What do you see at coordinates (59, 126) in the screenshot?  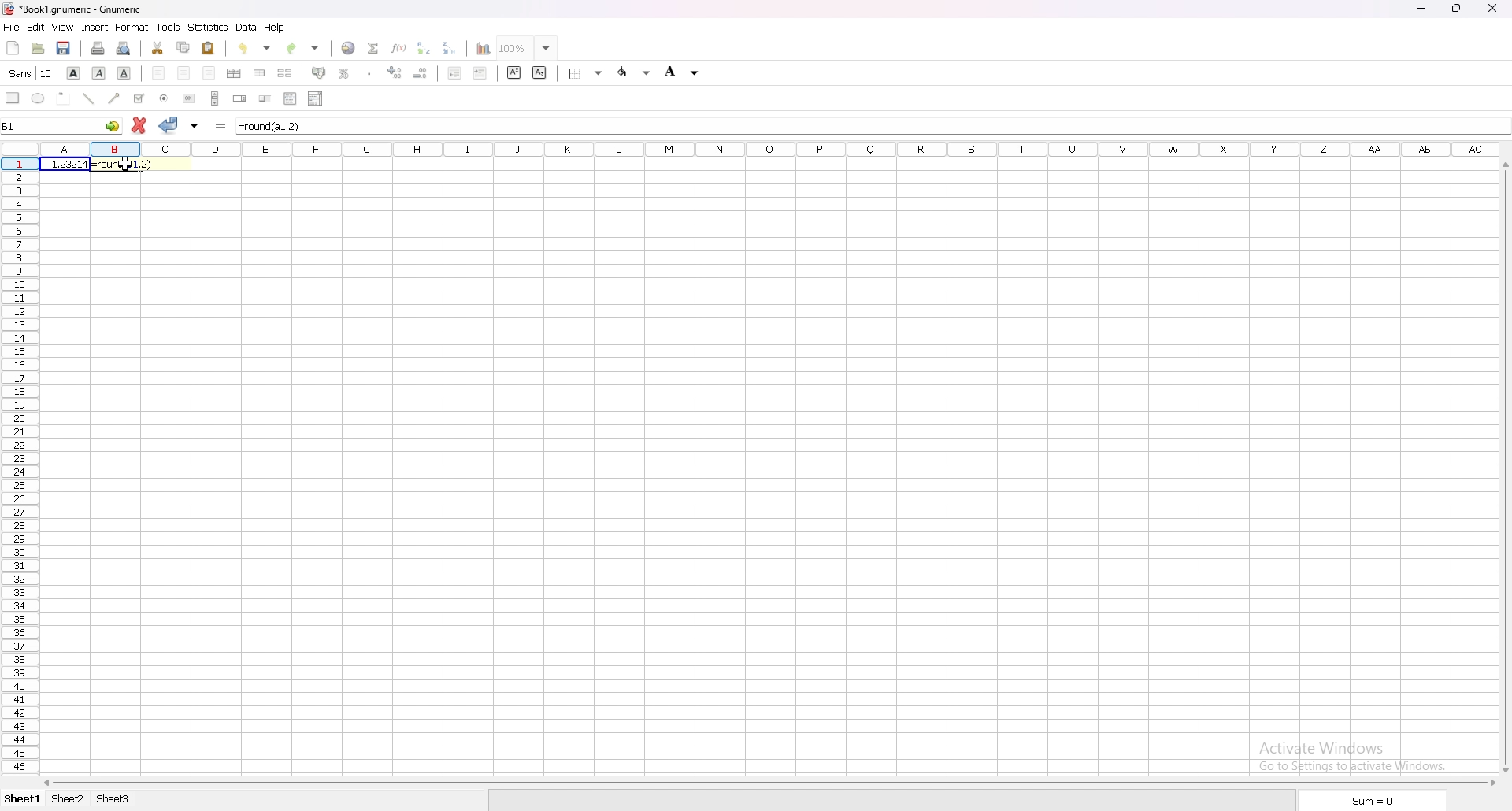 I see `selected cell` at bounding box center [59, 126].